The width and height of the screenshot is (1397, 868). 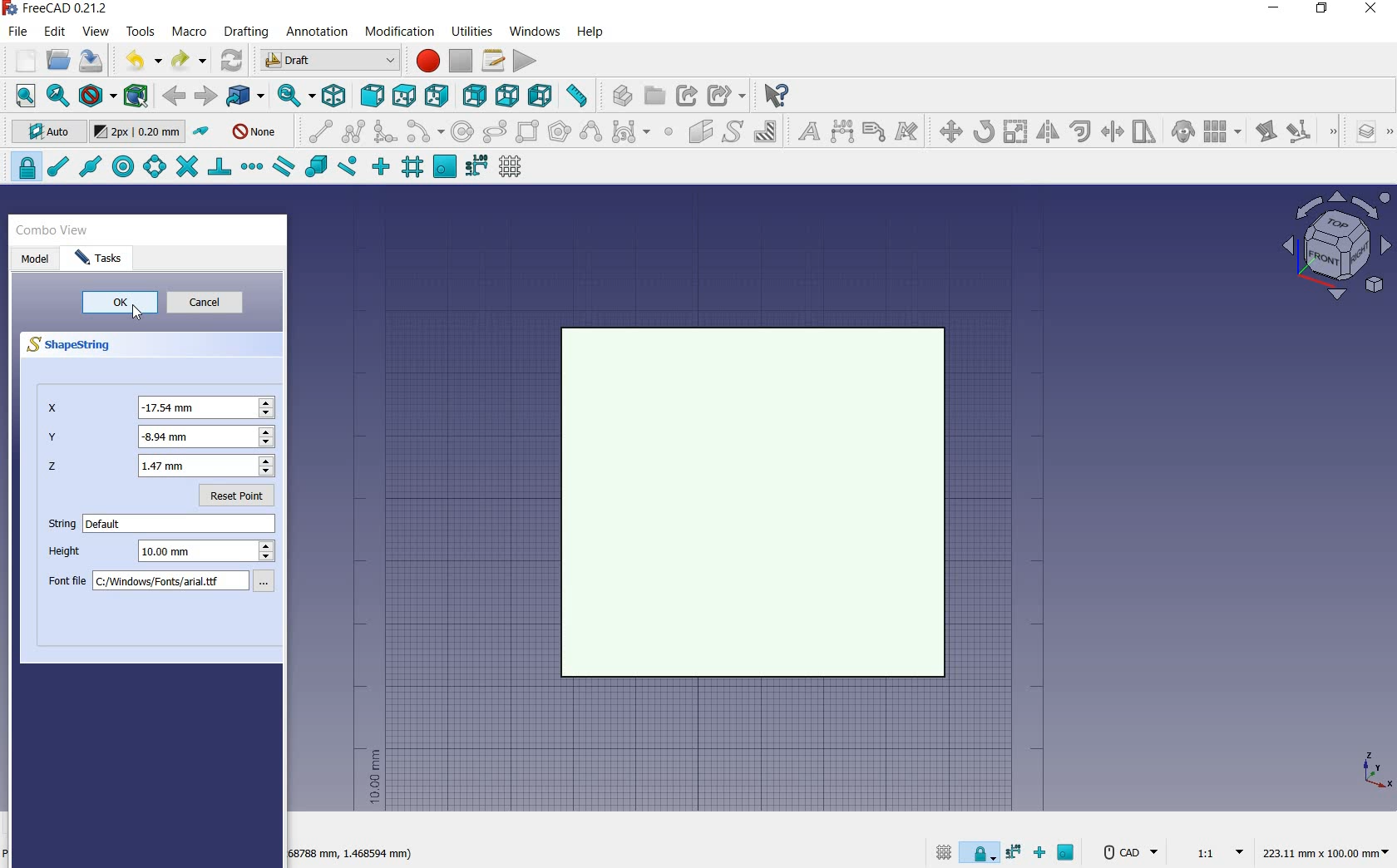 I want to click on view plane options, so click(x=1337, y=248).